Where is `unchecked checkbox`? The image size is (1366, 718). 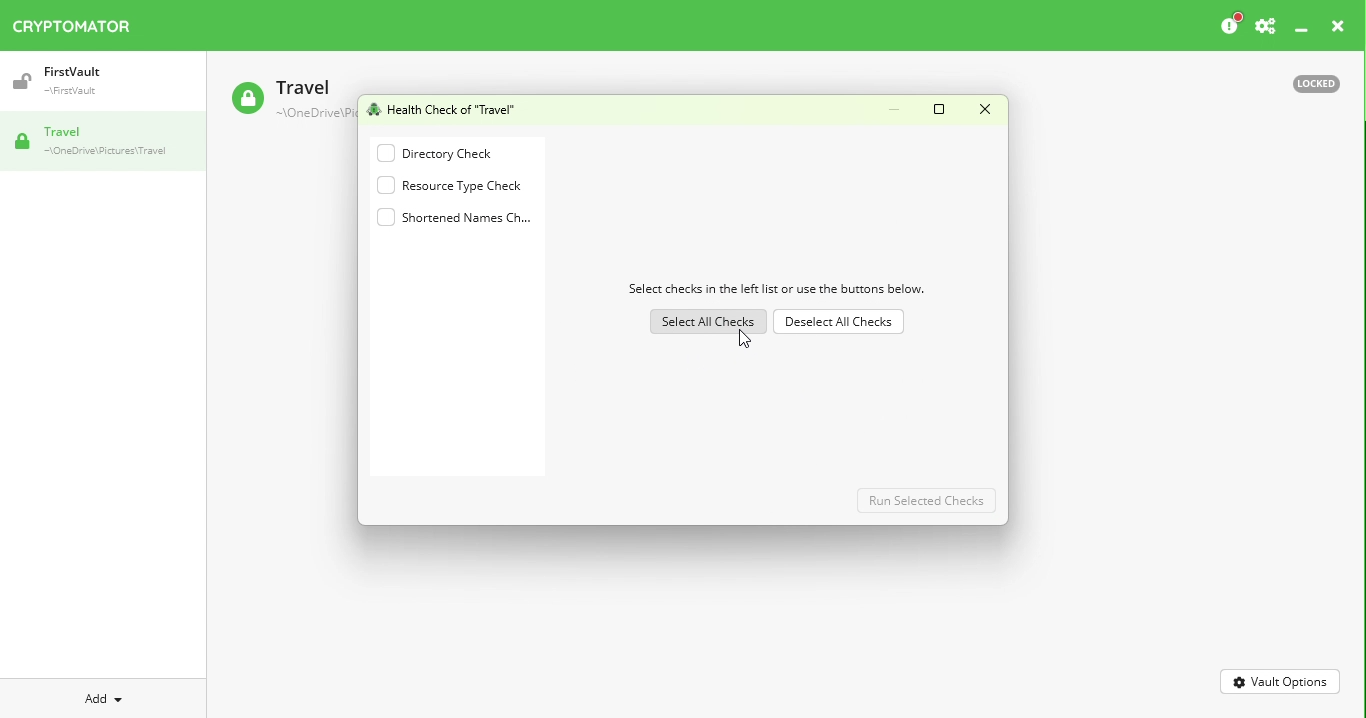 unchecked checkbox is located at coordinates (385, 217).